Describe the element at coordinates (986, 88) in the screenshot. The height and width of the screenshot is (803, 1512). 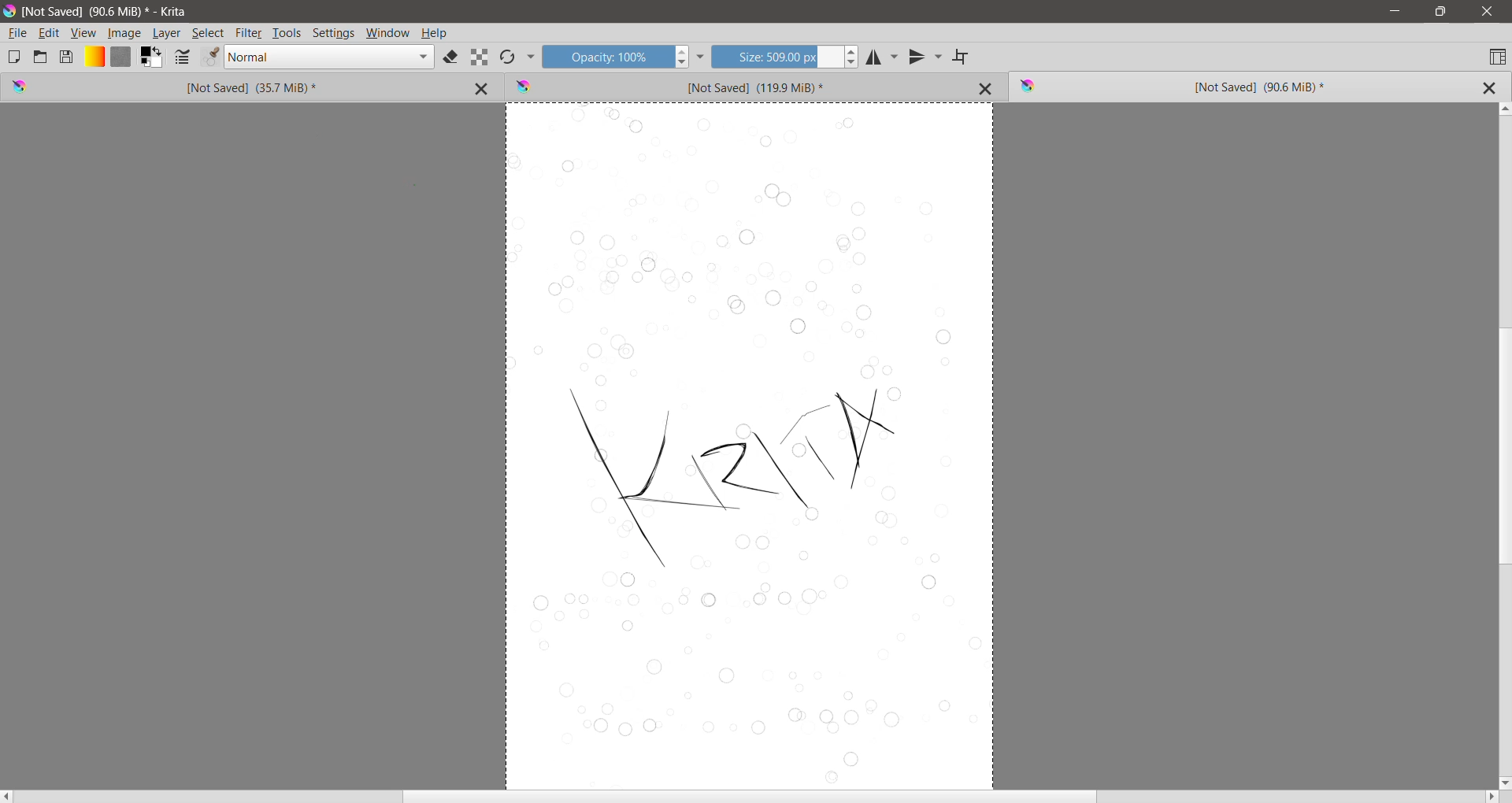
I see `Close Tab` at that location.